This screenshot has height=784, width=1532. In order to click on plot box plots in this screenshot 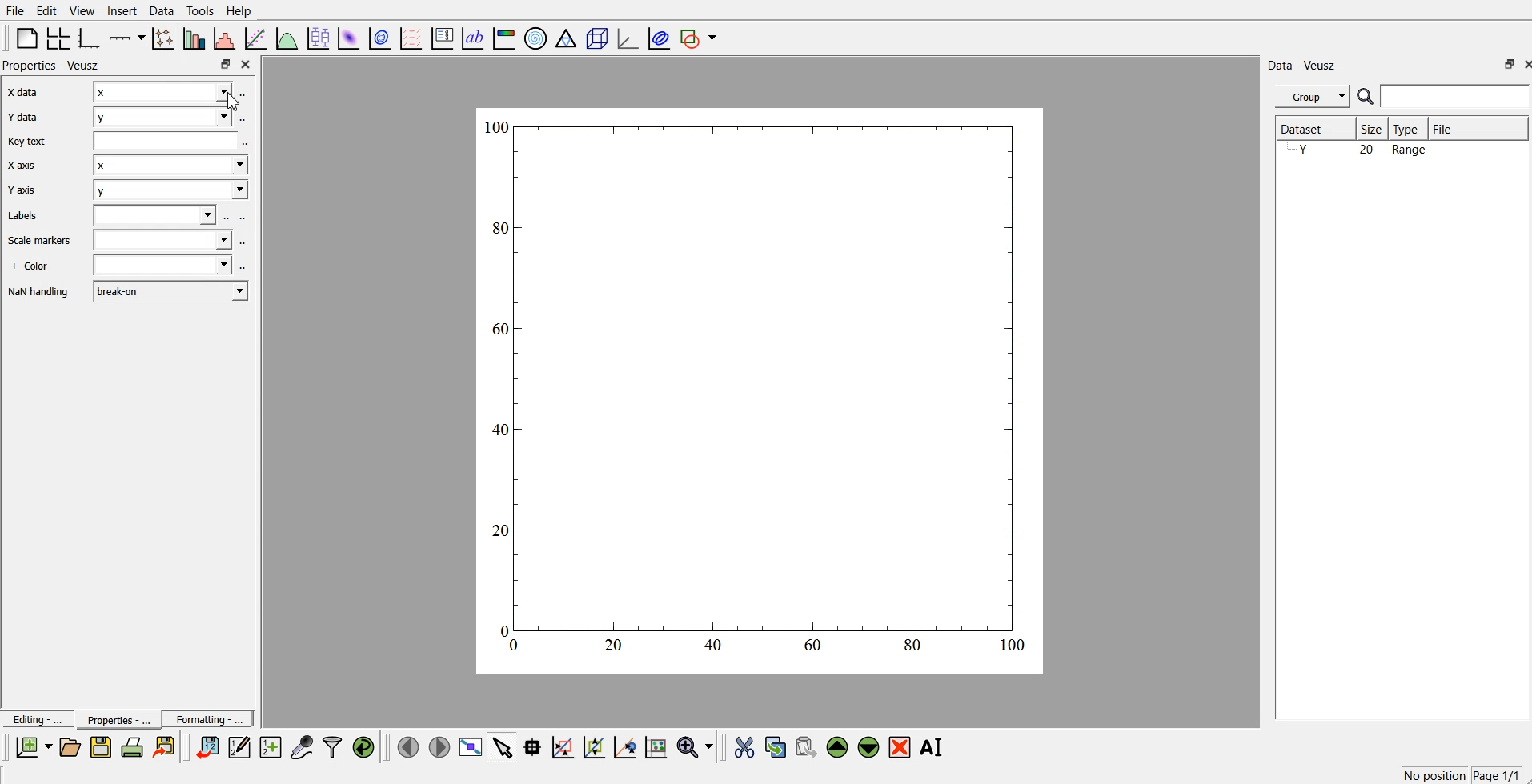, I will do `click(318, 37)`.